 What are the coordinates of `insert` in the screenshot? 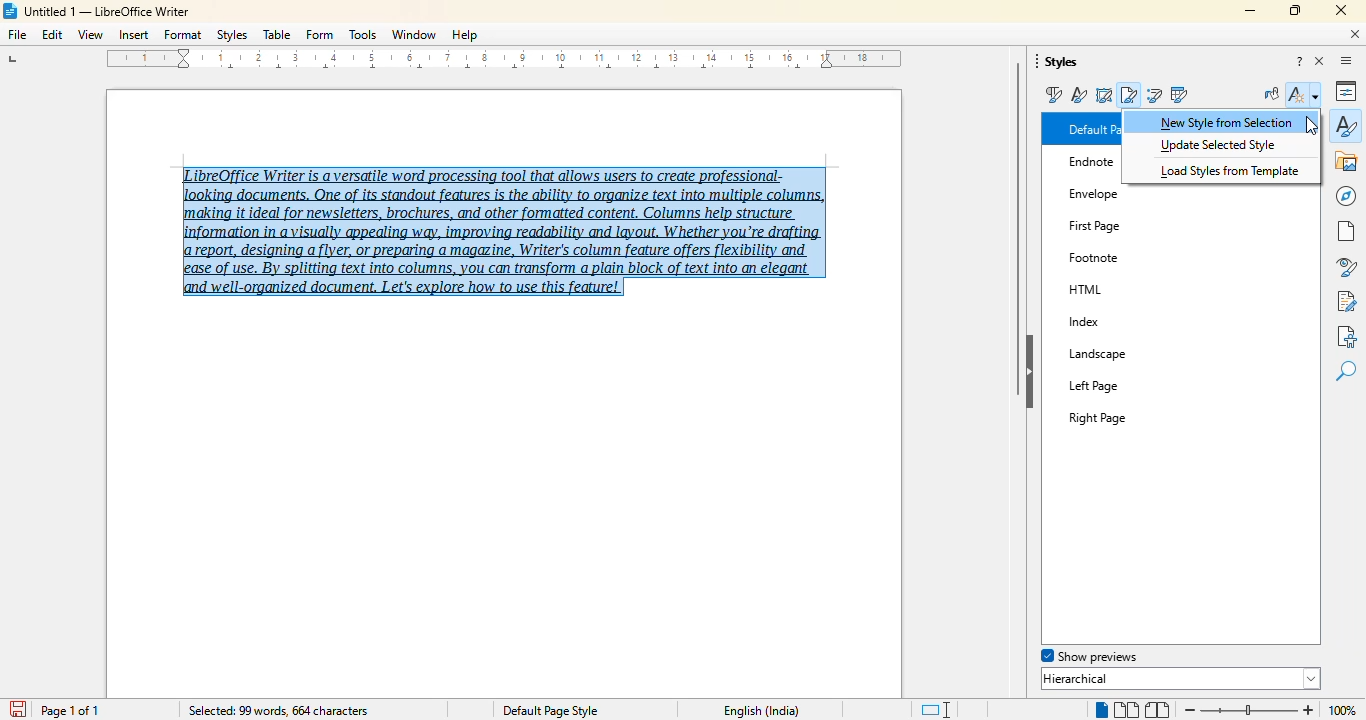 It's located at (133, 35).